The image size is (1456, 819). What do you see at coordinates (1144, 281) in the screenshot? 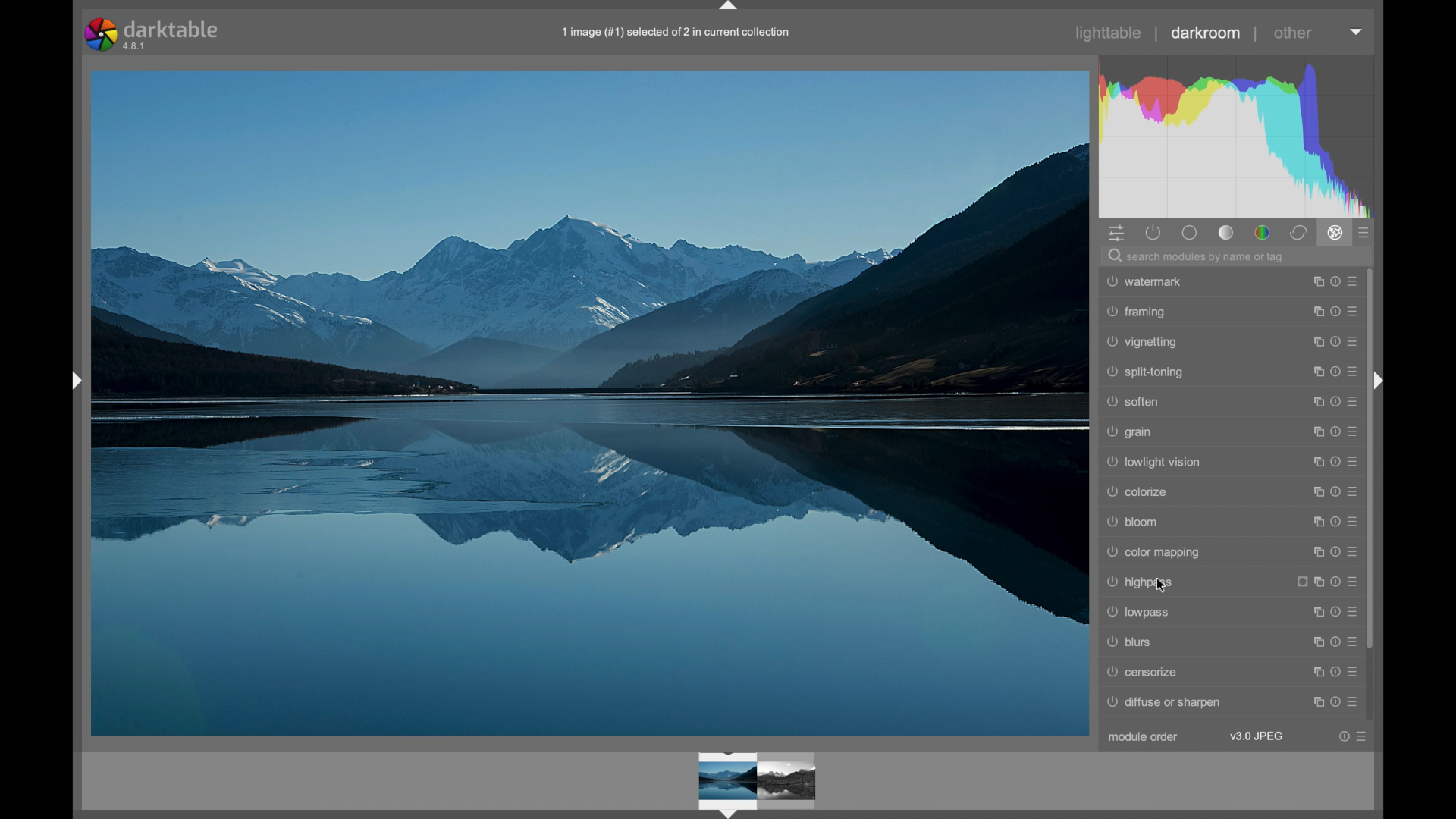
I see `watermark` at bounding box center [1144, 281].